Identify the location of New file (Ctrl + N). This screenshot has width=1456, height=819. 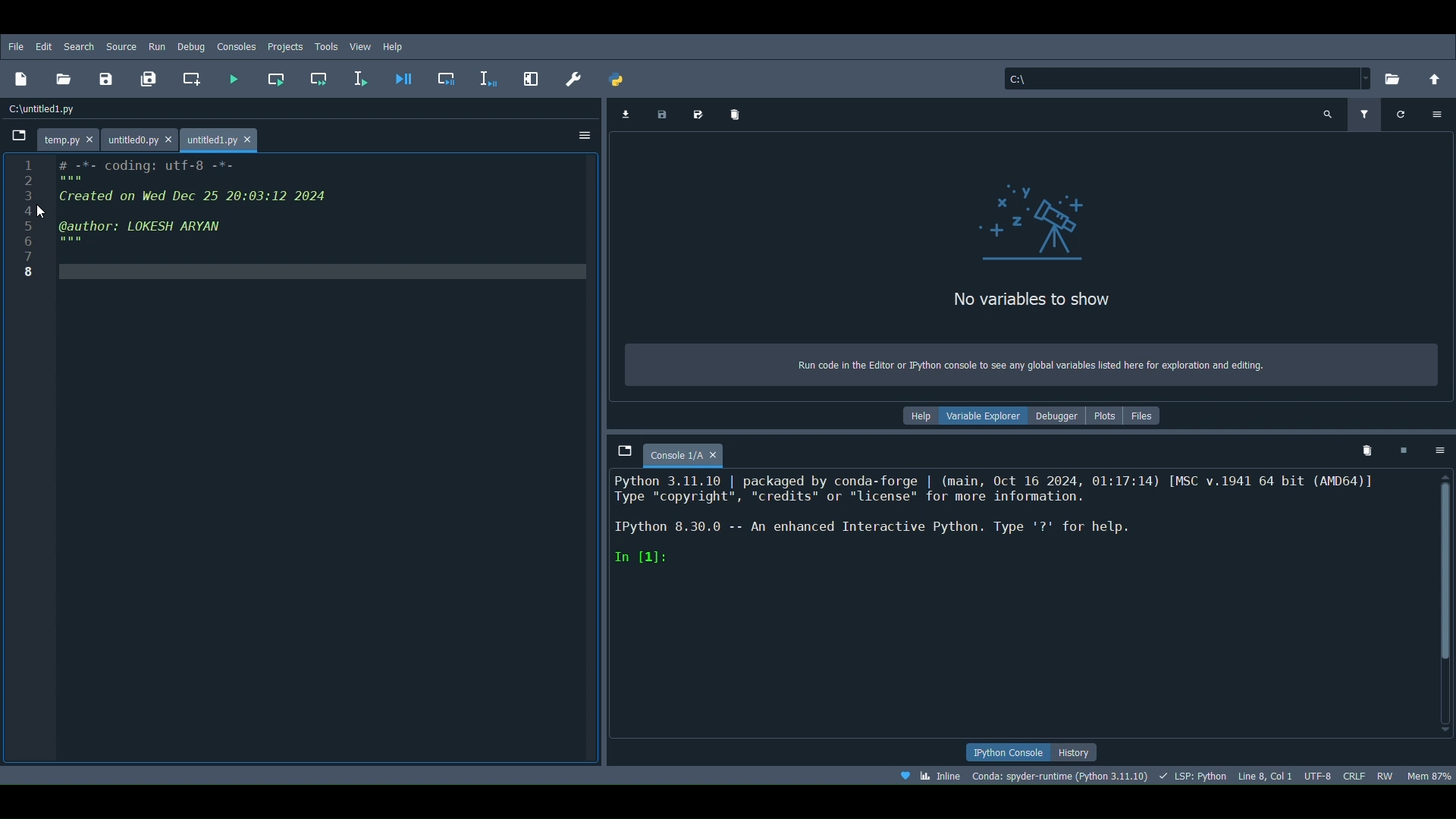
(24, 79).